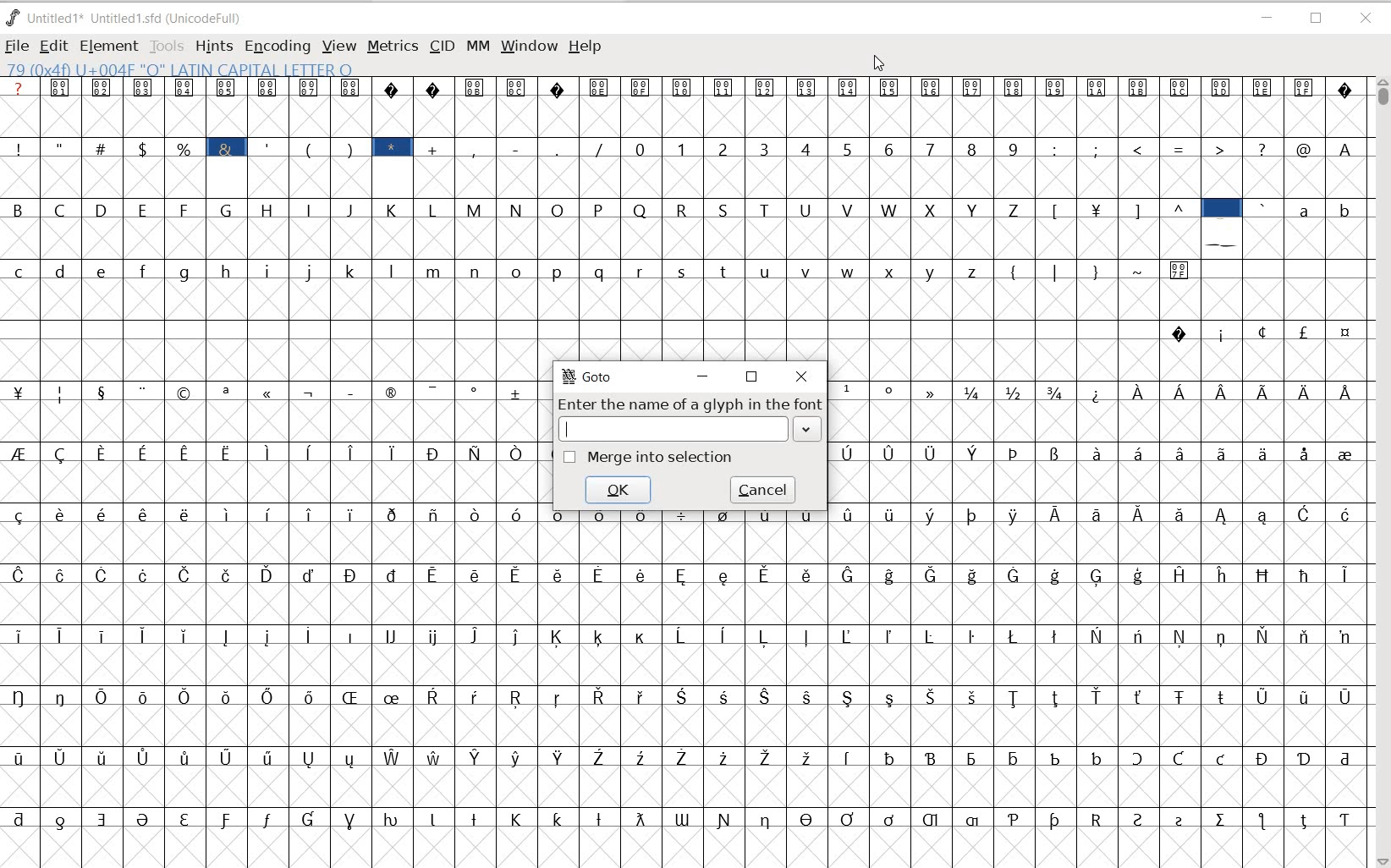  I want to click on ok, so click(619, 490).